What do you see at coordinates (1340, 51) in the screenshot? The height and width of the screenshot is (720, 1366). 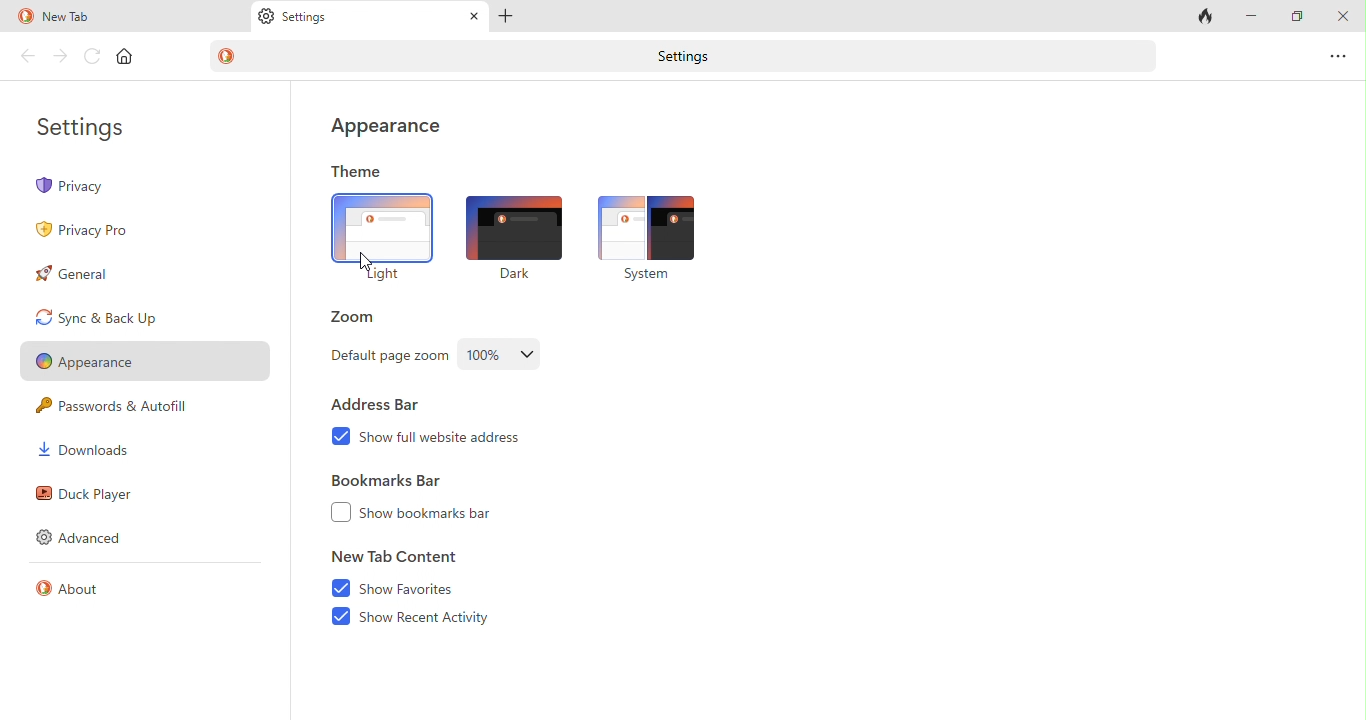 I see `new tab and more` at bounding box center [1340, 51].